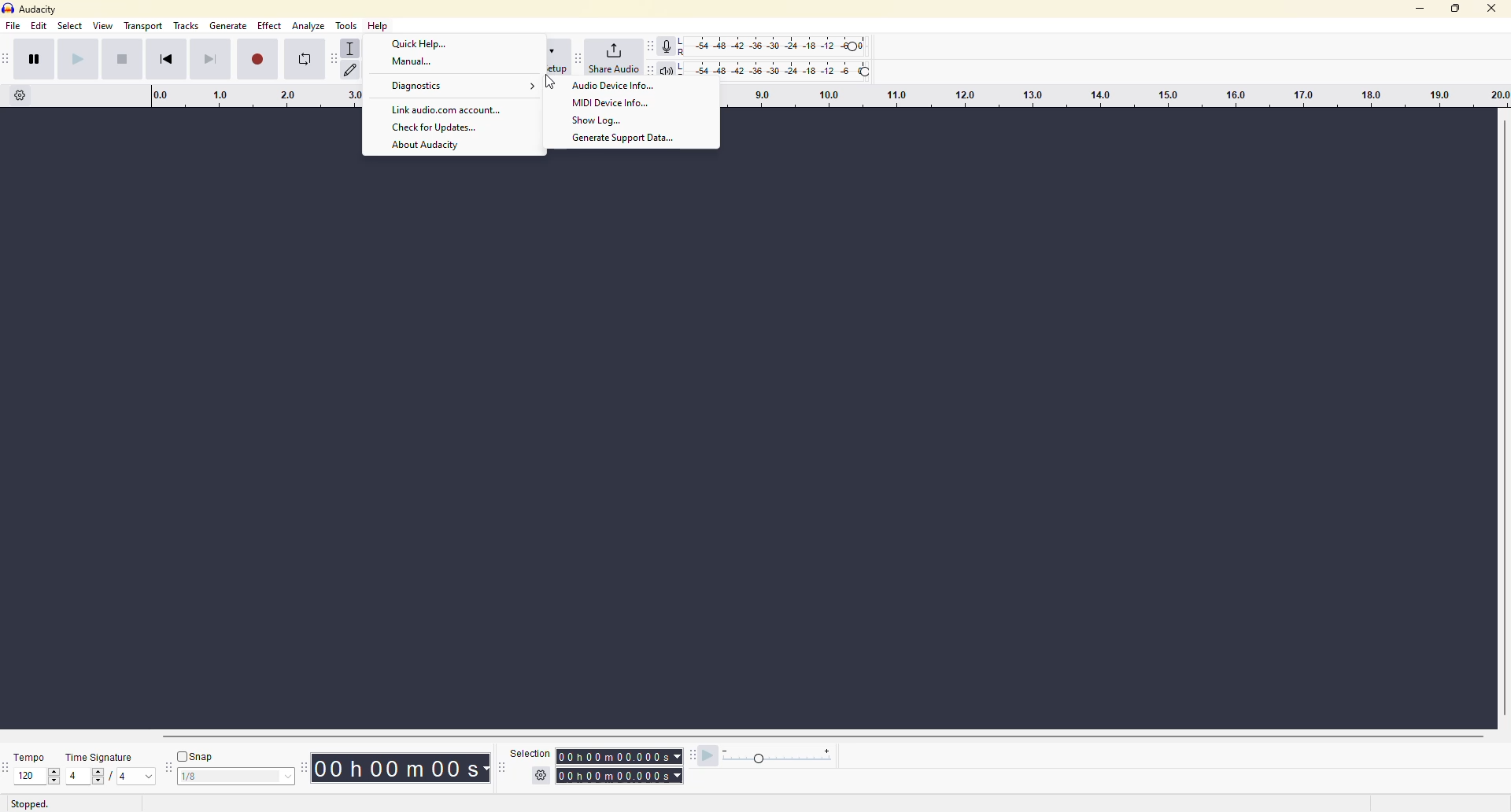  Describe the element at coordinates (229, 28) in the screenshot. I see `generate` at that location.